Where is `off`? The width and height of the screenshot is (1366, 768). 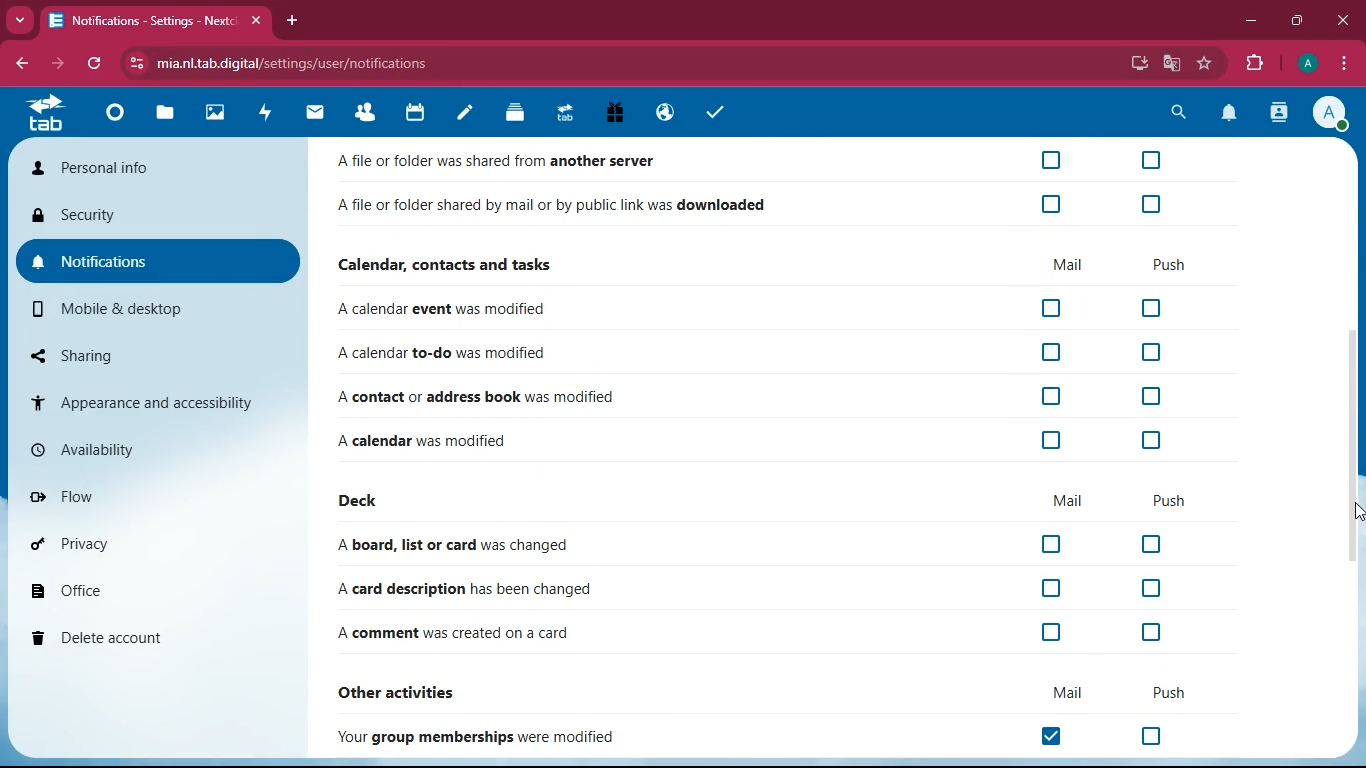 off is located at coordinates (1048, 634).